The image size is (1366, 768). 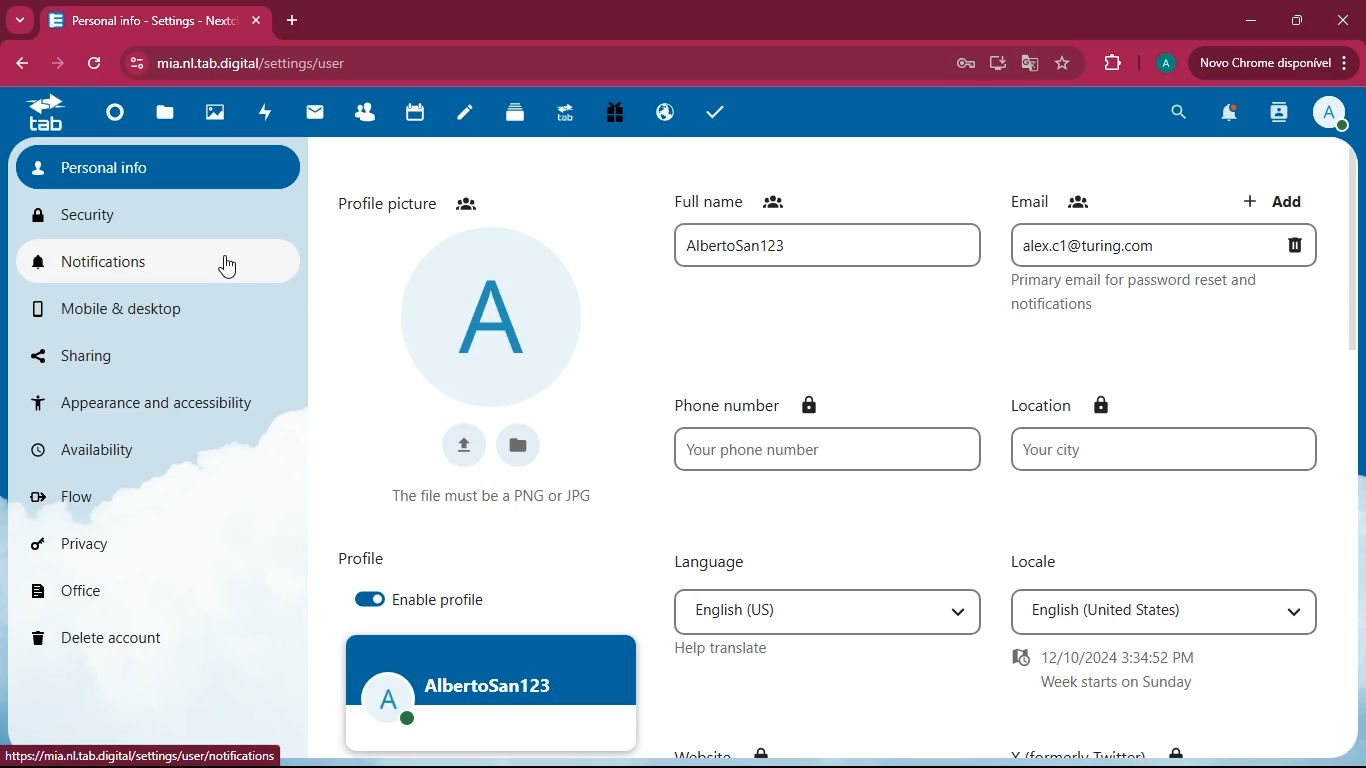 I want to click on update, so click(x=1270, y=63).